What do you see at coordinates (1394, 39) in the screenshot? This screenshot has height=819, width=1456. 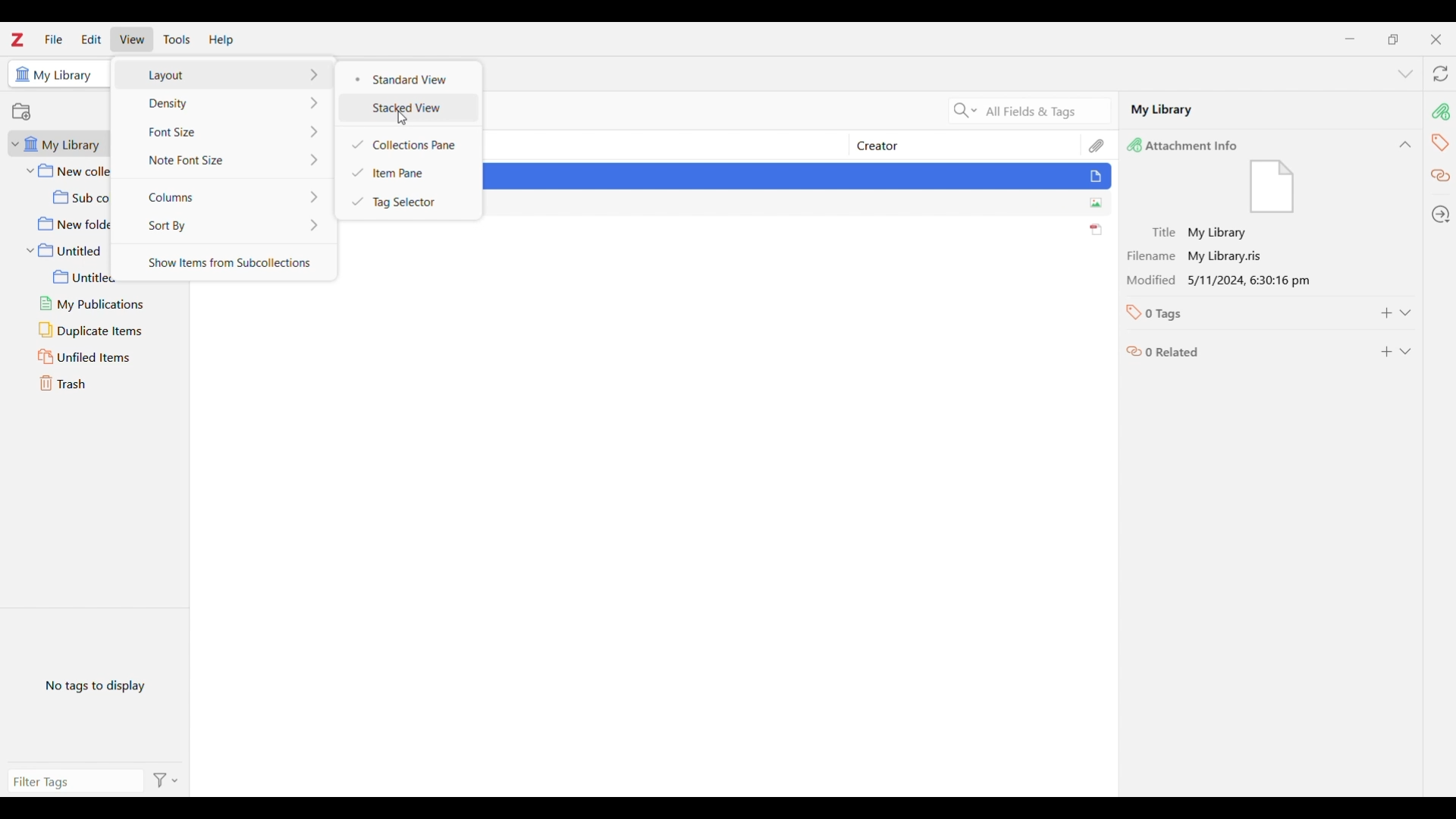 I see `Show interface in a smaller tab` at bounding box center [1394, 39].